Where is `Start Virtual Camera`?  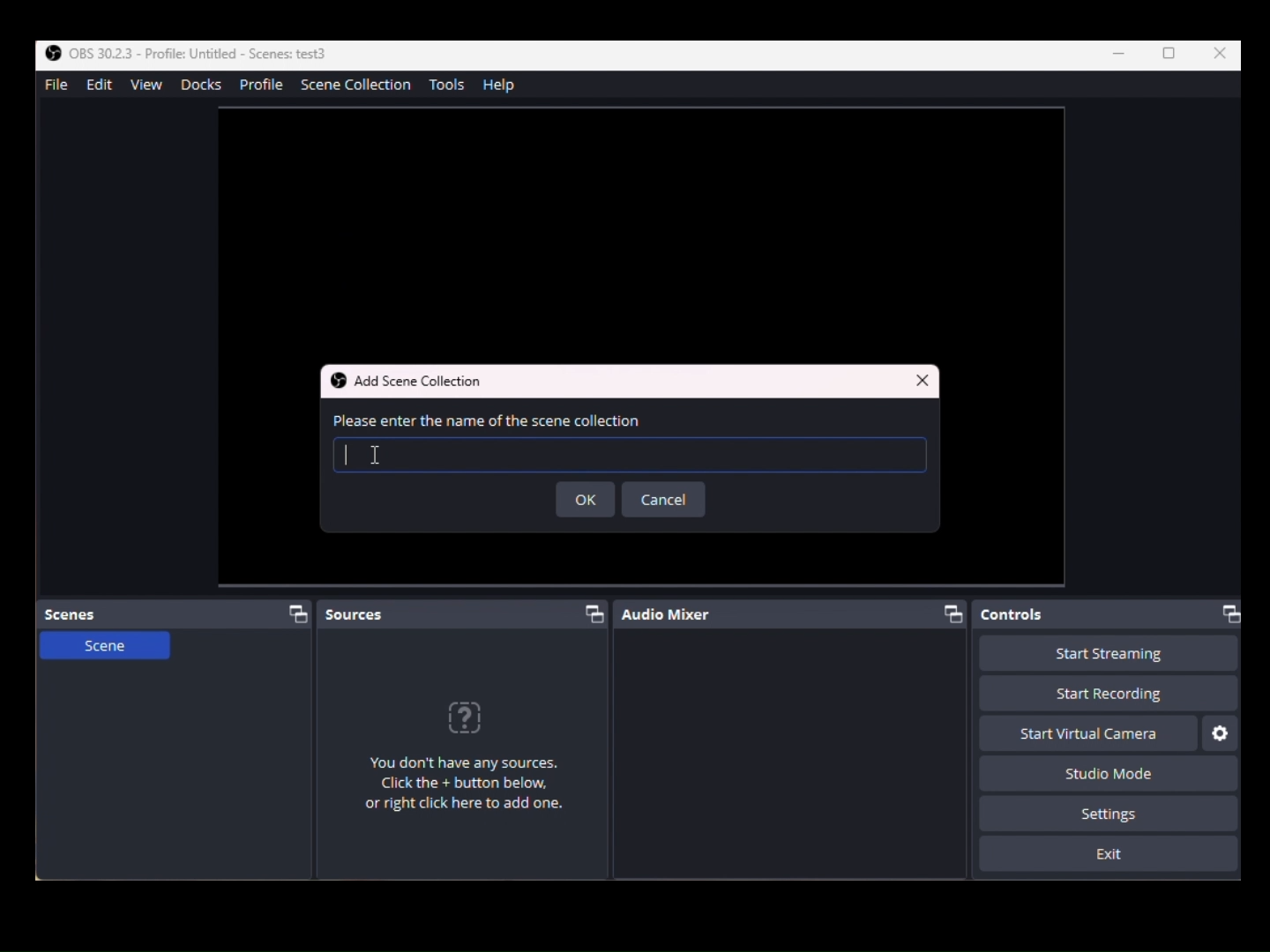
Start Virtual Camera is located at coordinates (1088, 733).